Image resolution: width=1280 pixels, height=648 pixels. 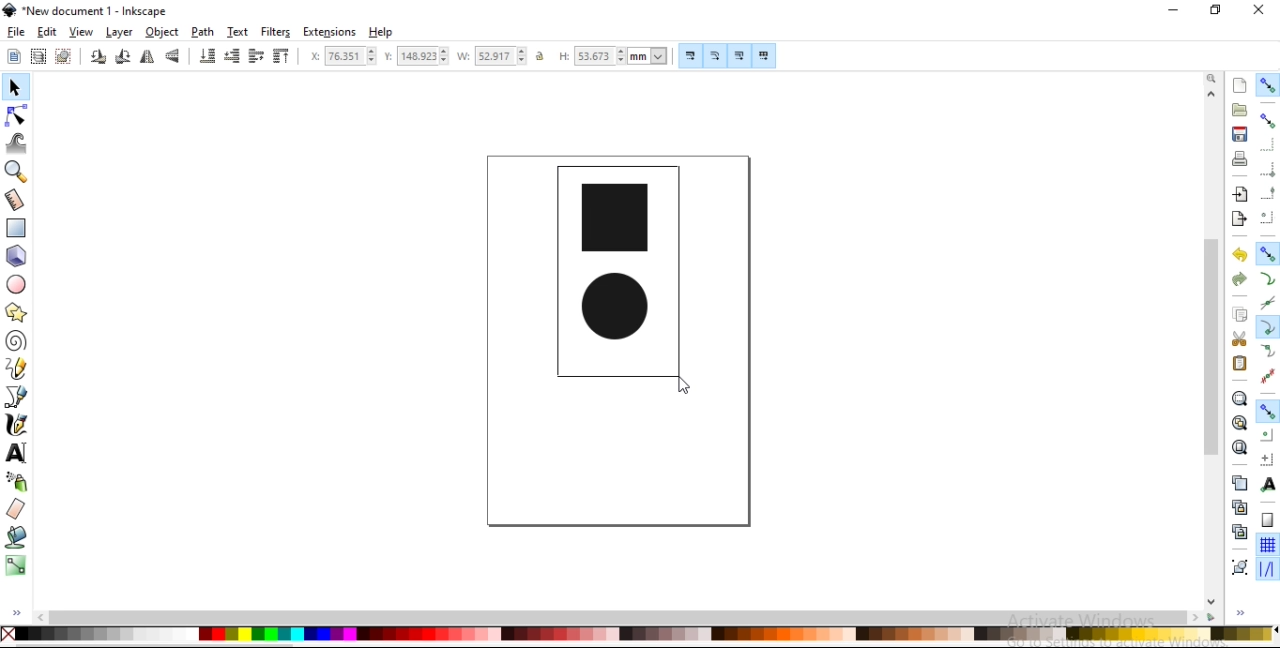 I want to click on snap guide, so click(x=1266, y=569).